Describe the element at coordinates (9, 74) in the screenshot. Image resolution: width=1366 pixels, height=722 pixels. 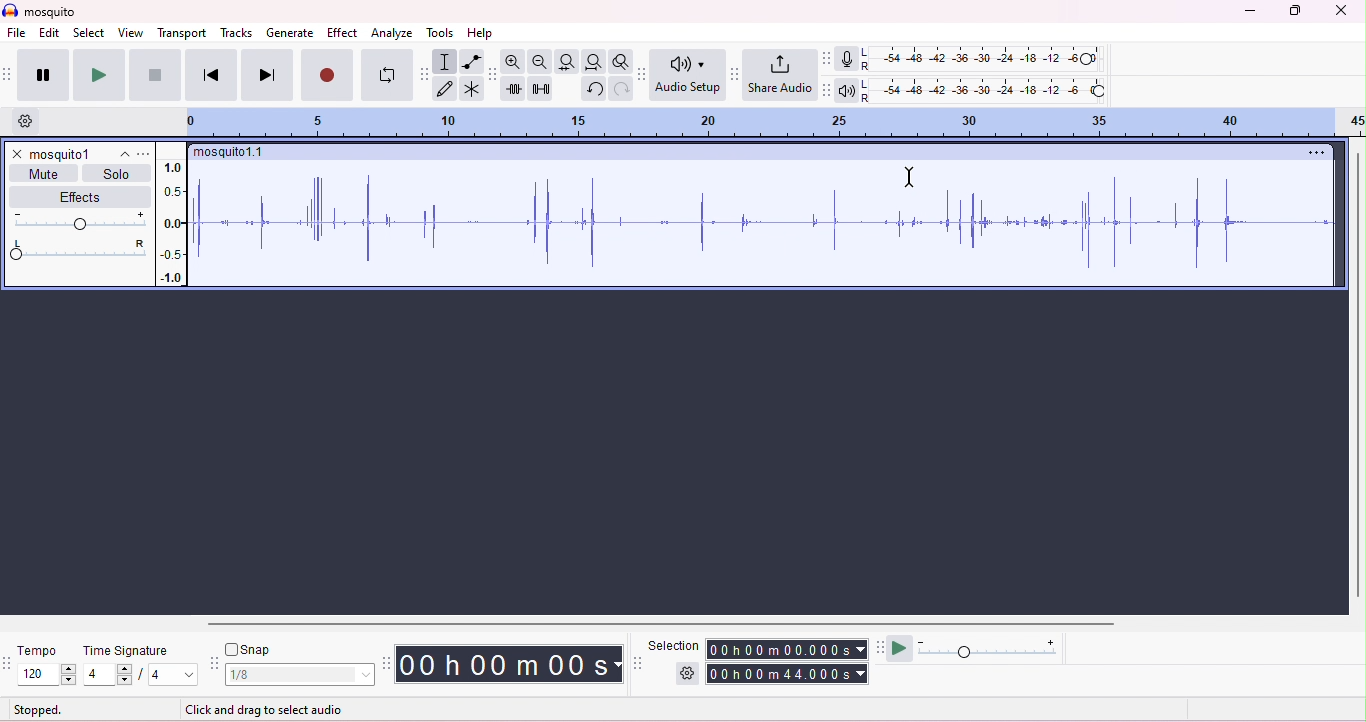
I see `toolbar` at that location.